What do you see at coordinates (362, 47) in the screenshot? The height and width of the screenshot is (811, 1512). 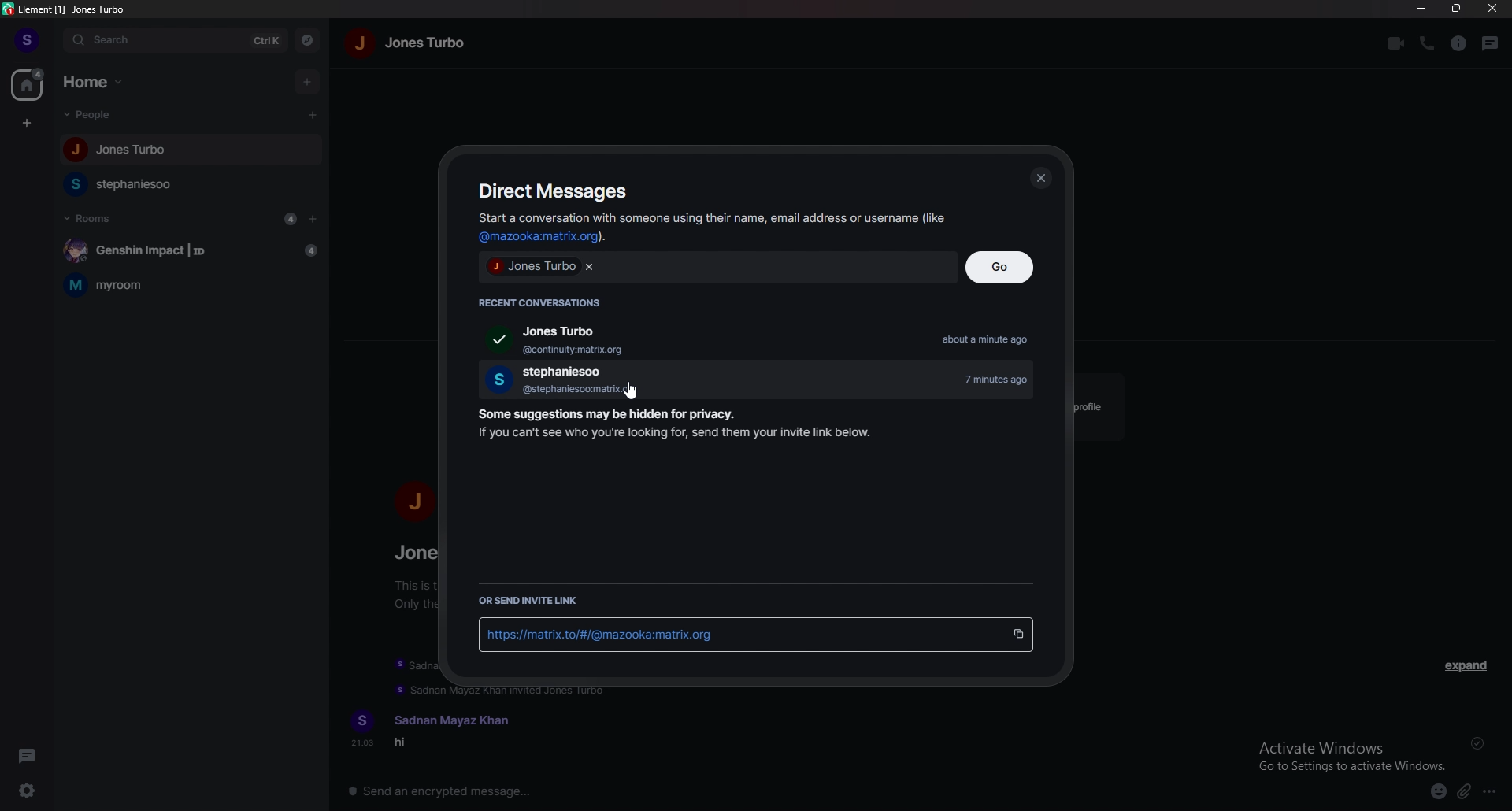 I see `j` at bounding box center [362, 47].